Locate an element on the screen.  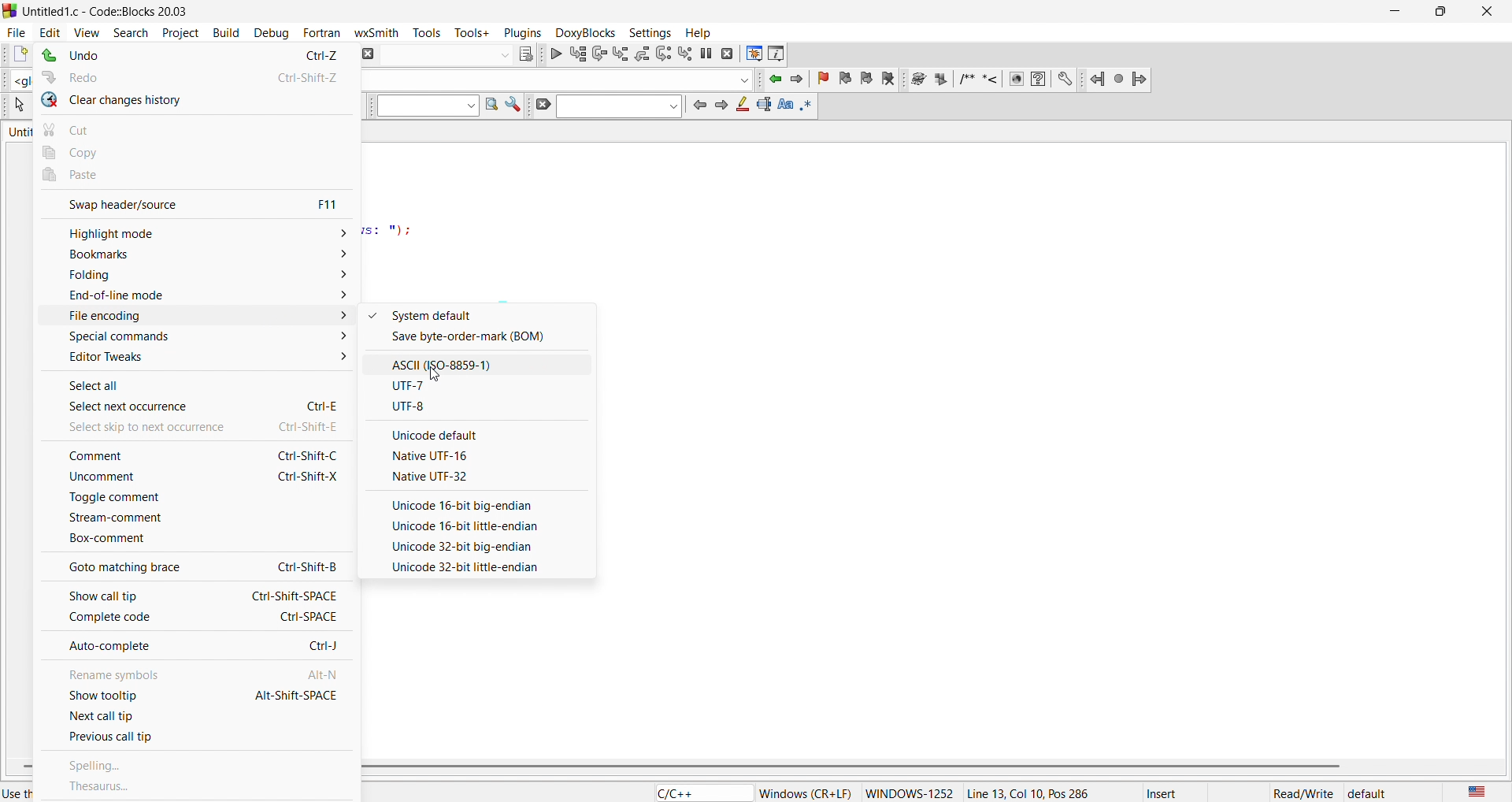
jump forward is located at coordinates (797, 80).